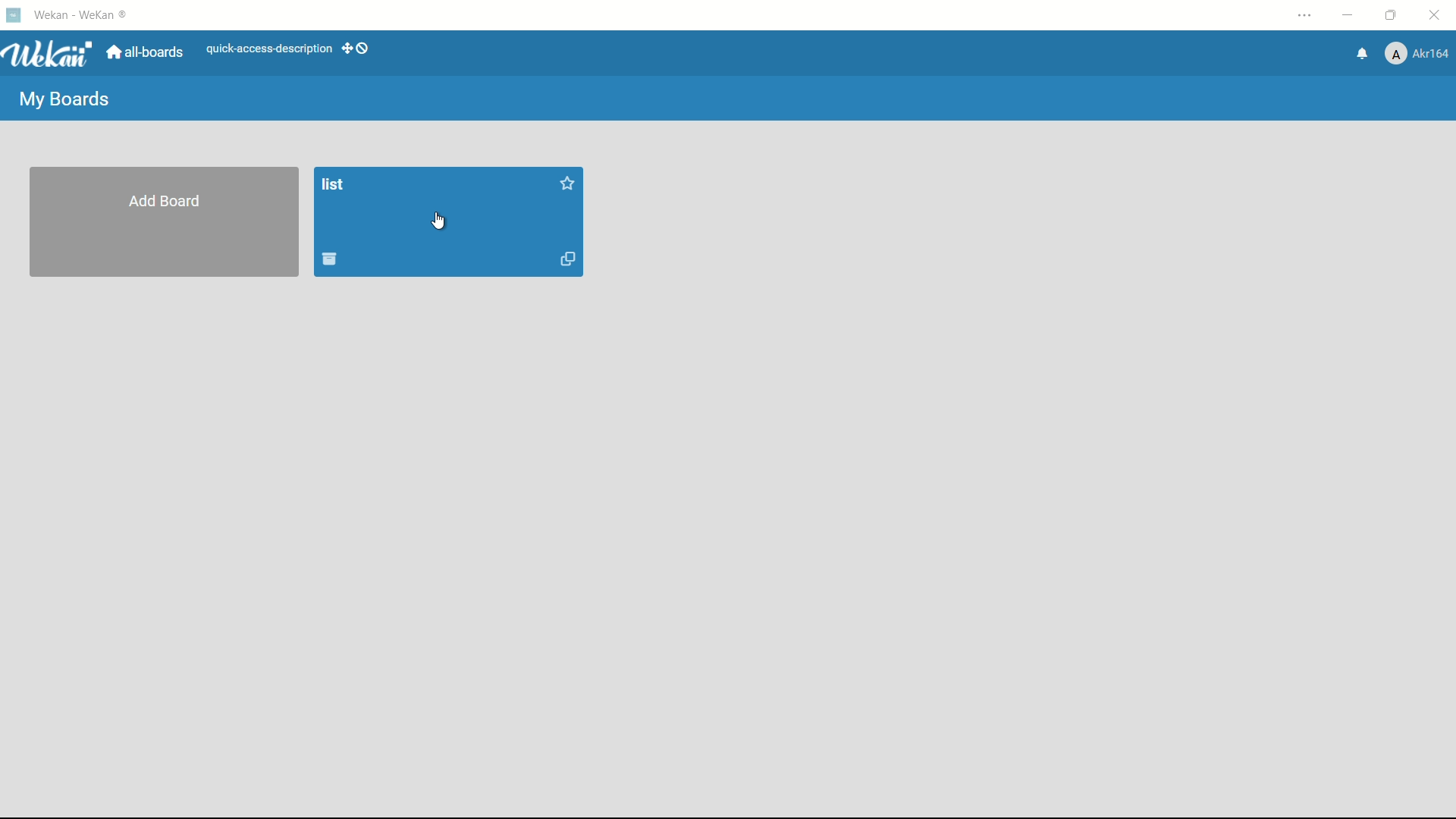 This screenshot has width=1456, height=819. Describe the element at coordinates (66, 100) in the screenshot. I see `my boards` at that location.